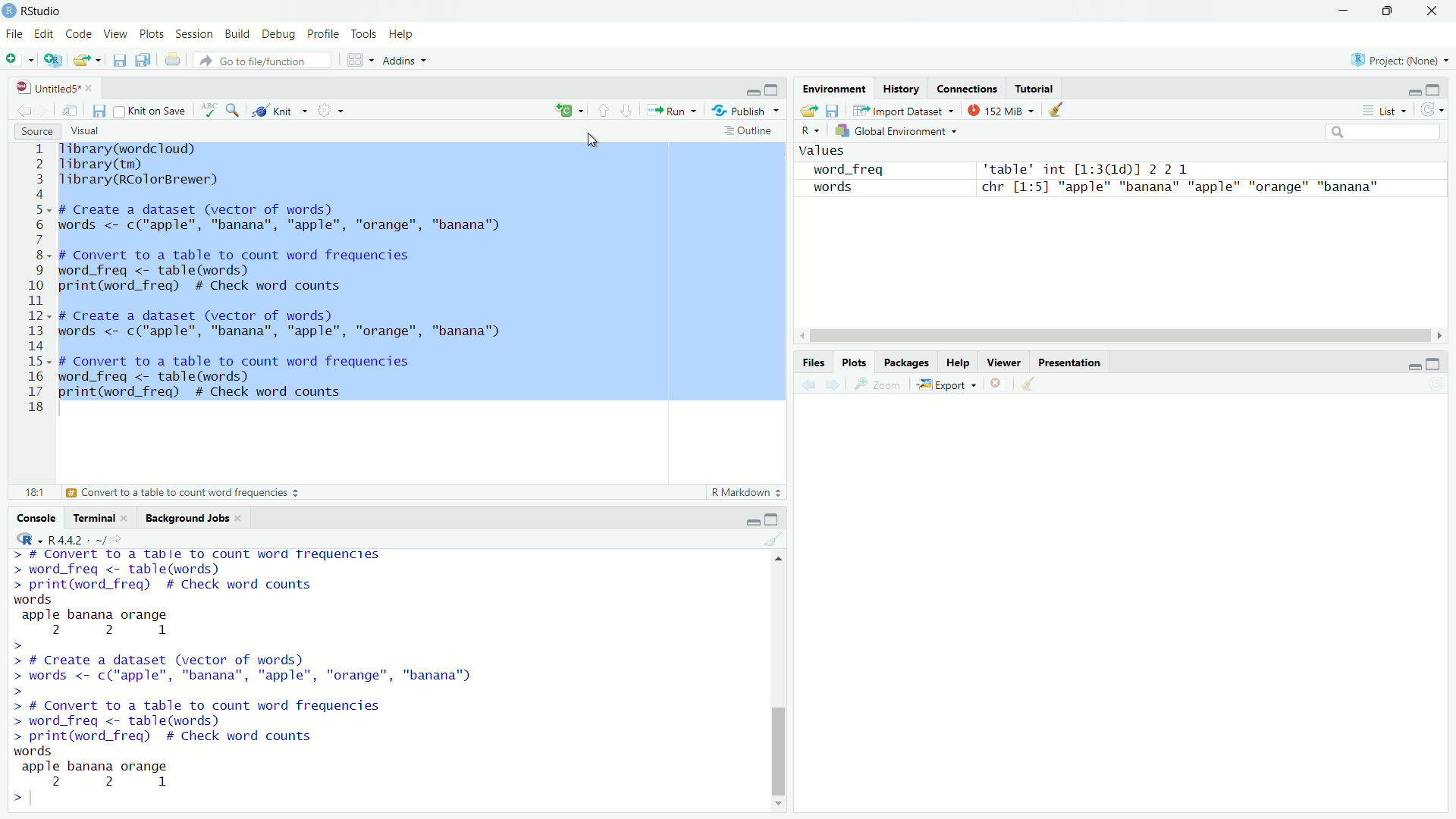  I want to click on Revert changes, so click(1430, 110).